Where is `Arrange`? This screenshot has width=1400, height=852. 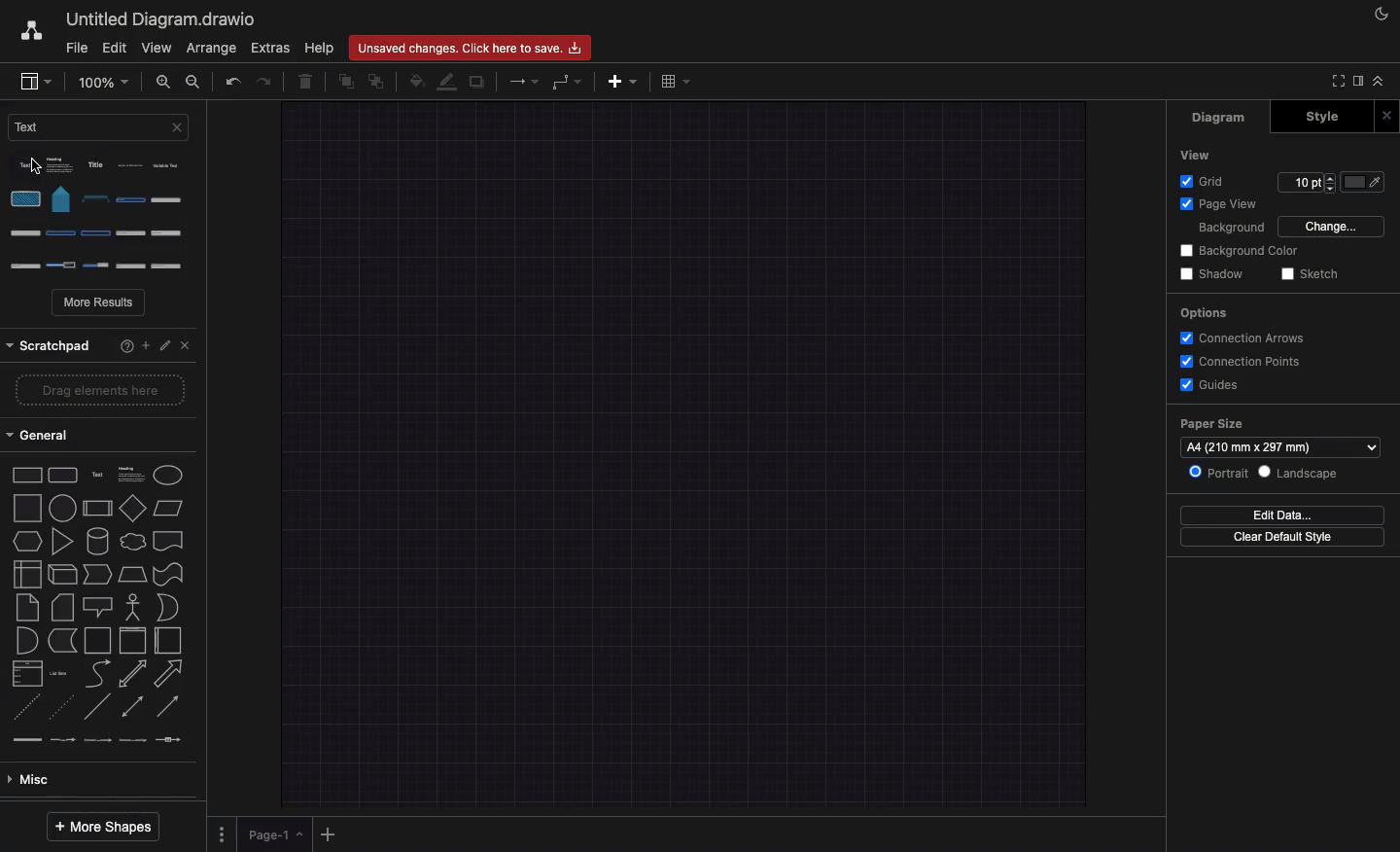 Arrange is located at coordinates (211, 49).